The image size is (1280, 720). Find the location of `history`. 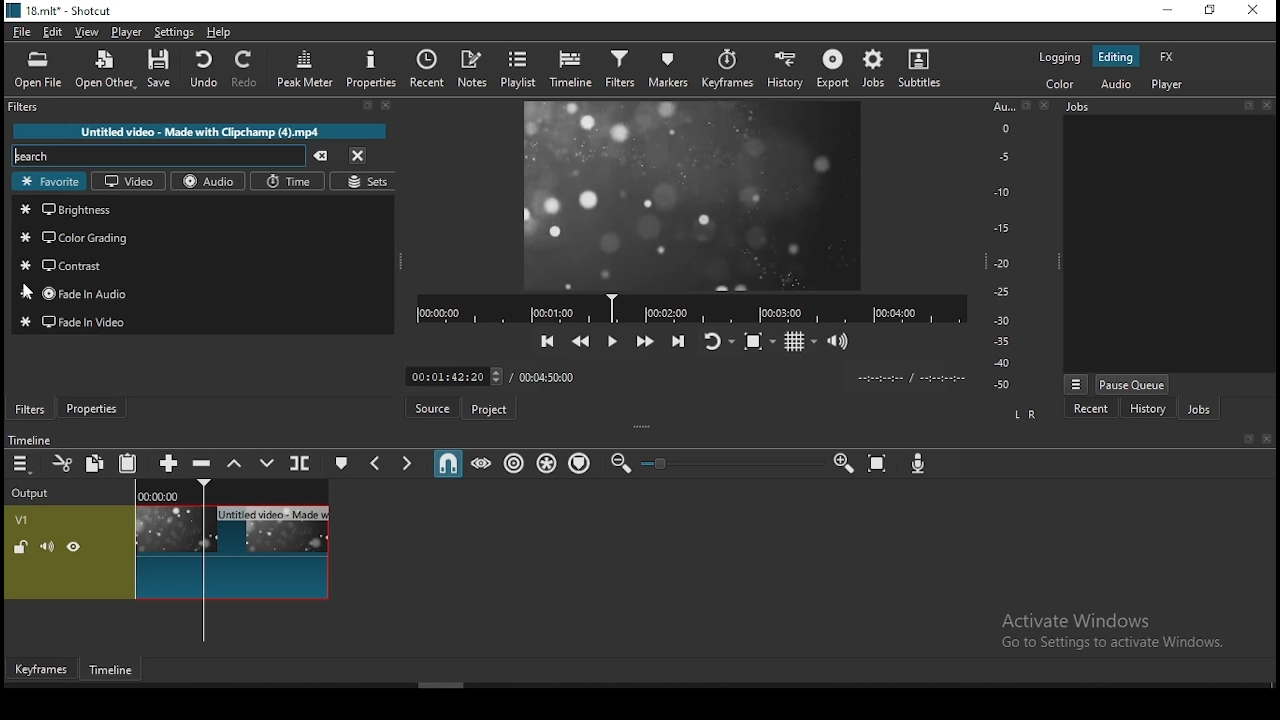

history is located at coordinates (1147, 408).